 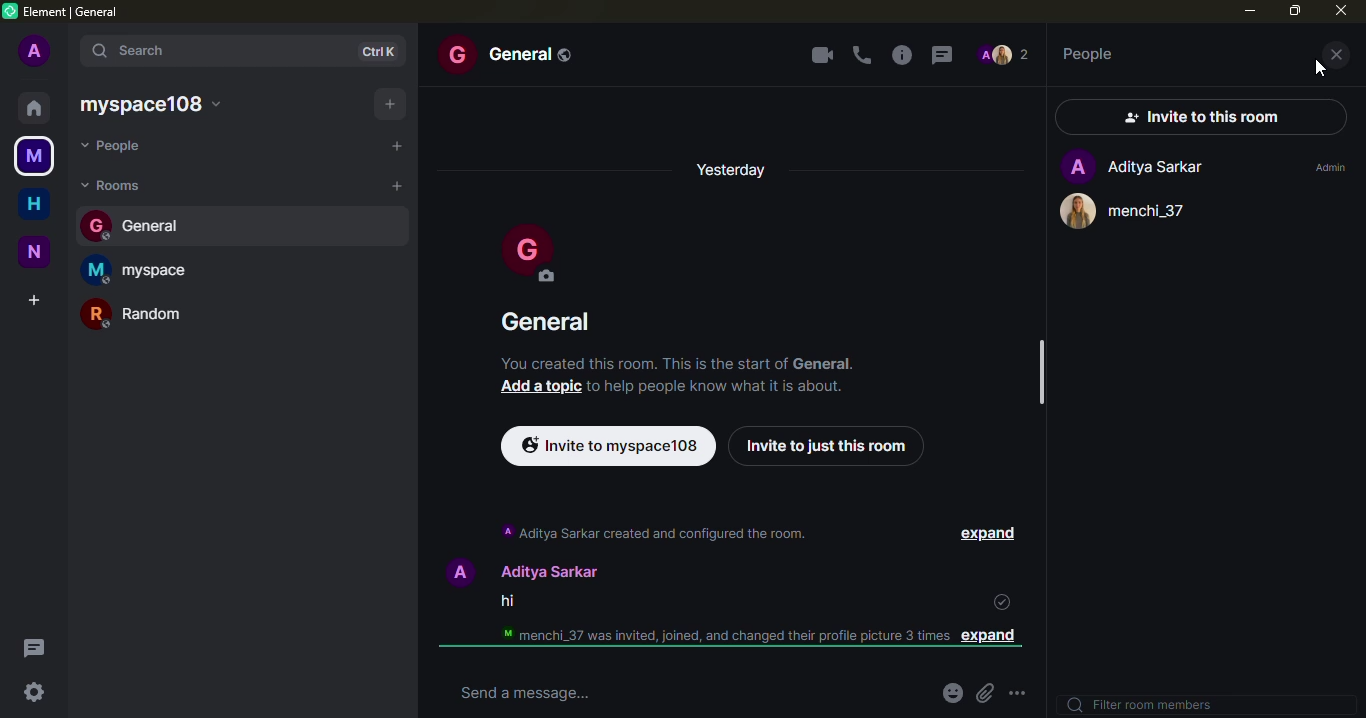 I want to click on yesterday, so click(x=741, y=166).